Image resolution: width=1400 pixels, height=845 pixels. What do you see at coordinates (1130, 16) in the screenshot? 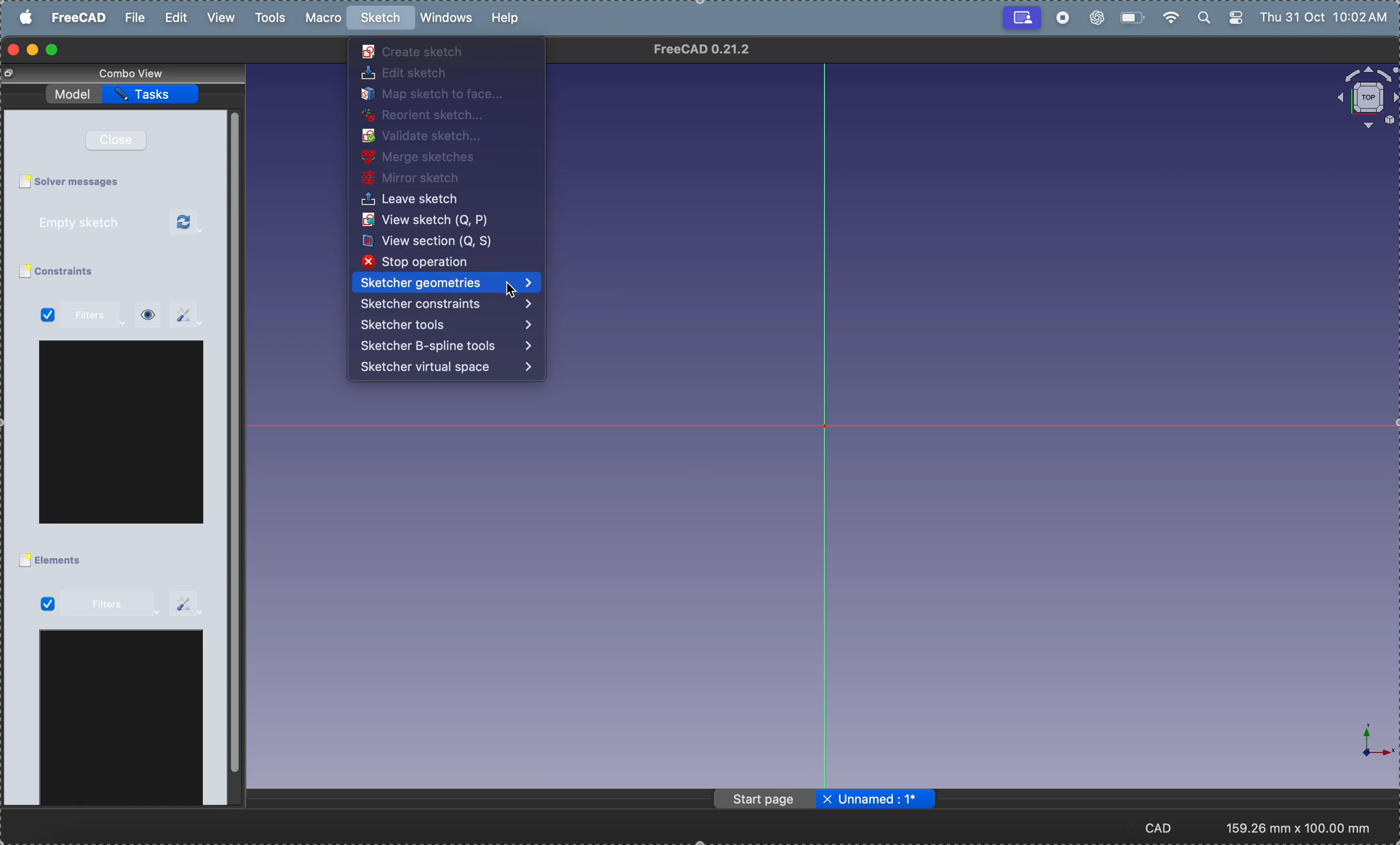
I see `battery` at bounding box center [1130, 16].